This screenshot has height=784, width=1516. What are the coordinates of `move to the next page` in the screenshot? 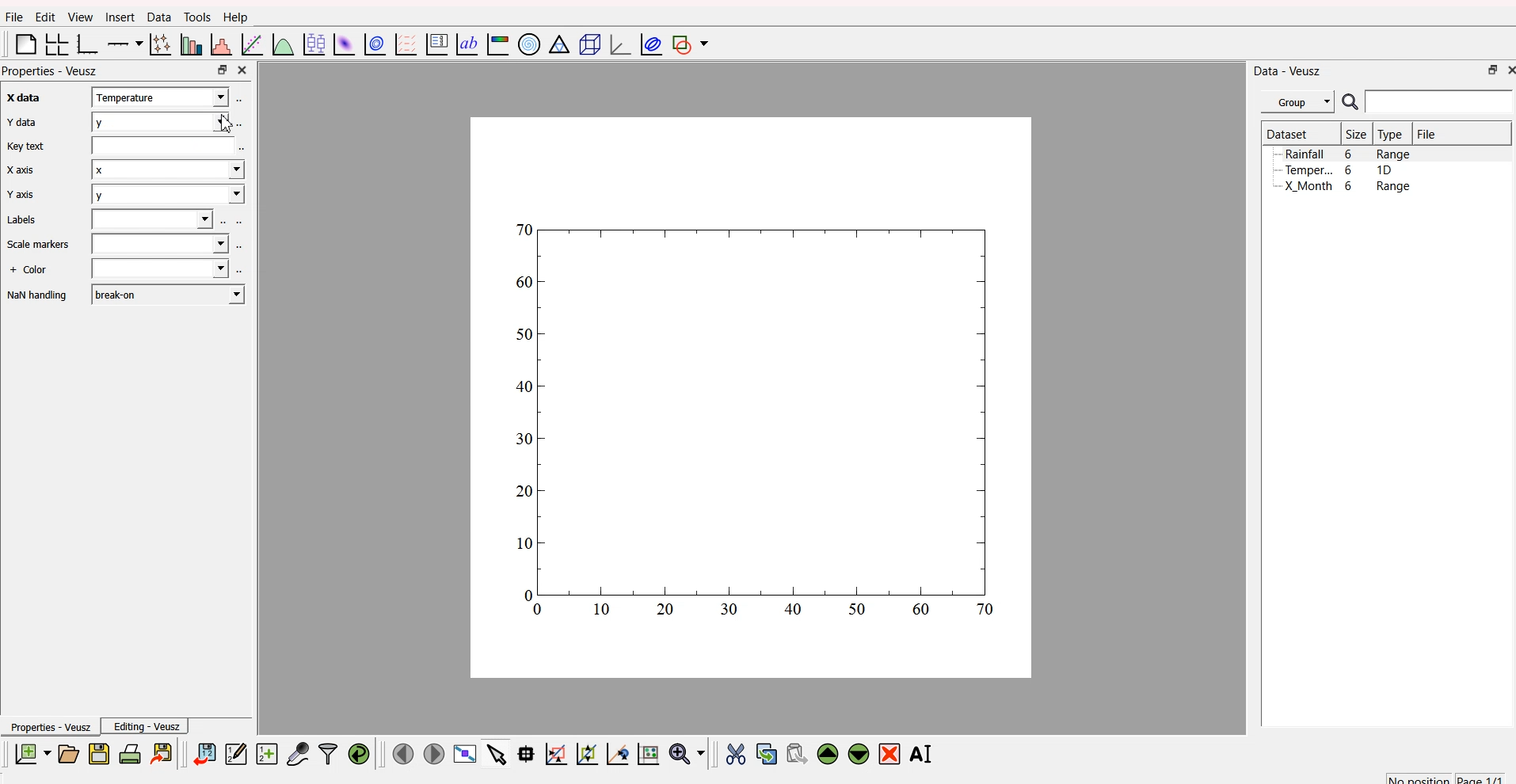 It's located at (436, 754).